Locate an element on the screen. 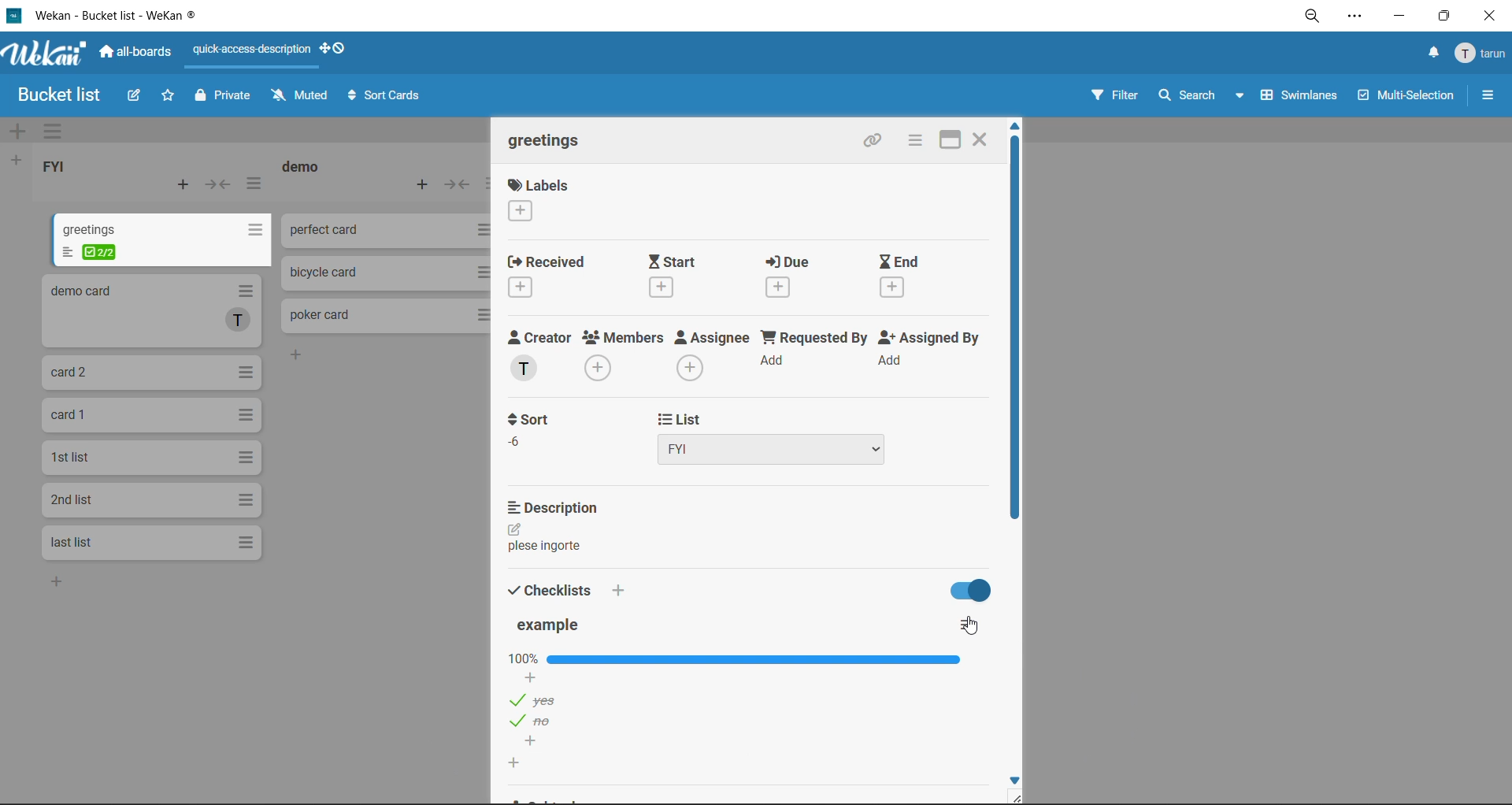 Image resolution: width=1512 pixels, height=805 pixels. checklist options is located at coordinates (541, 699).